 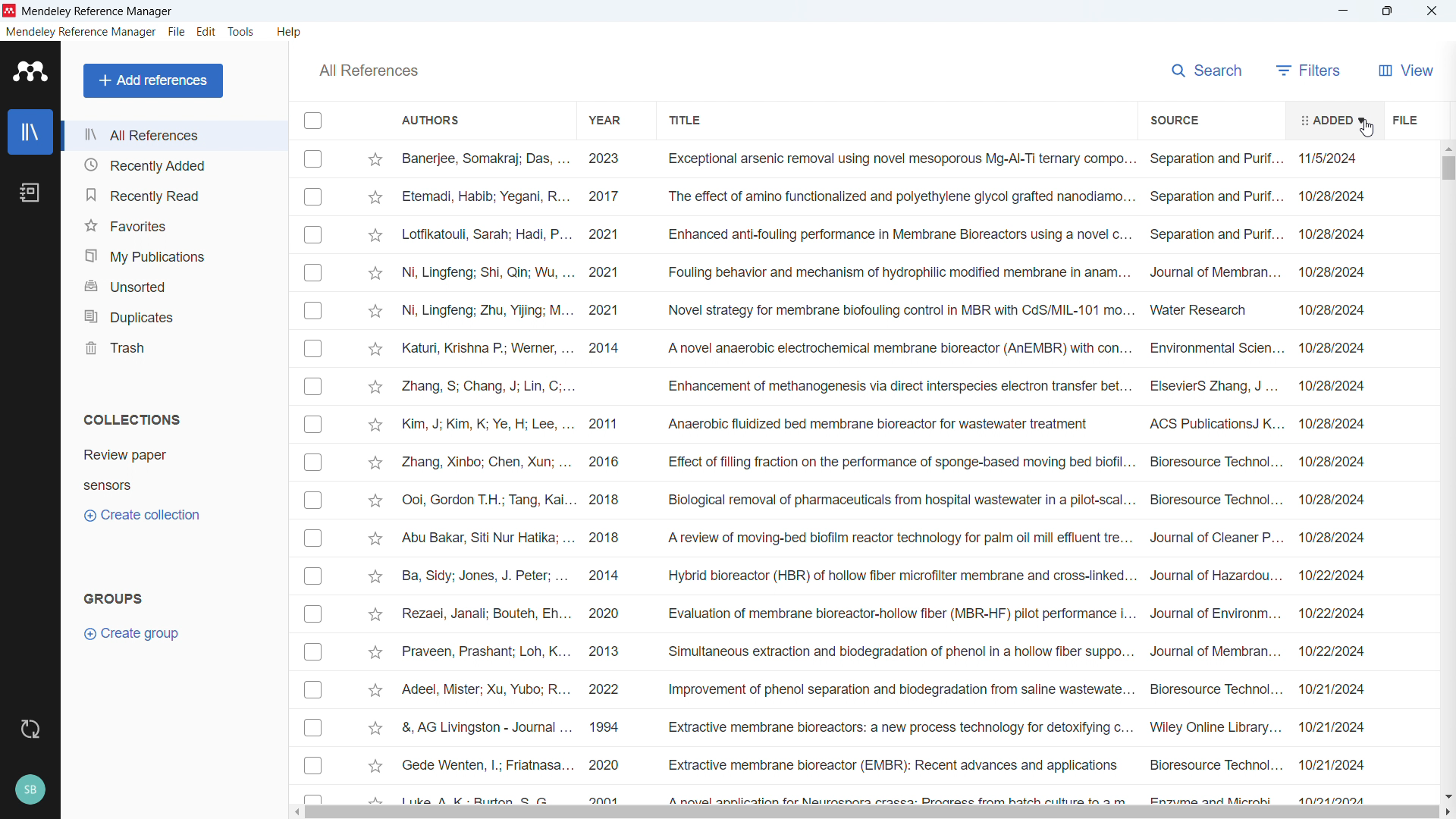 What do you see at coordinates (174, 165) in the screenshot?
I see `Recently added ` at bounding box center [174, 165].